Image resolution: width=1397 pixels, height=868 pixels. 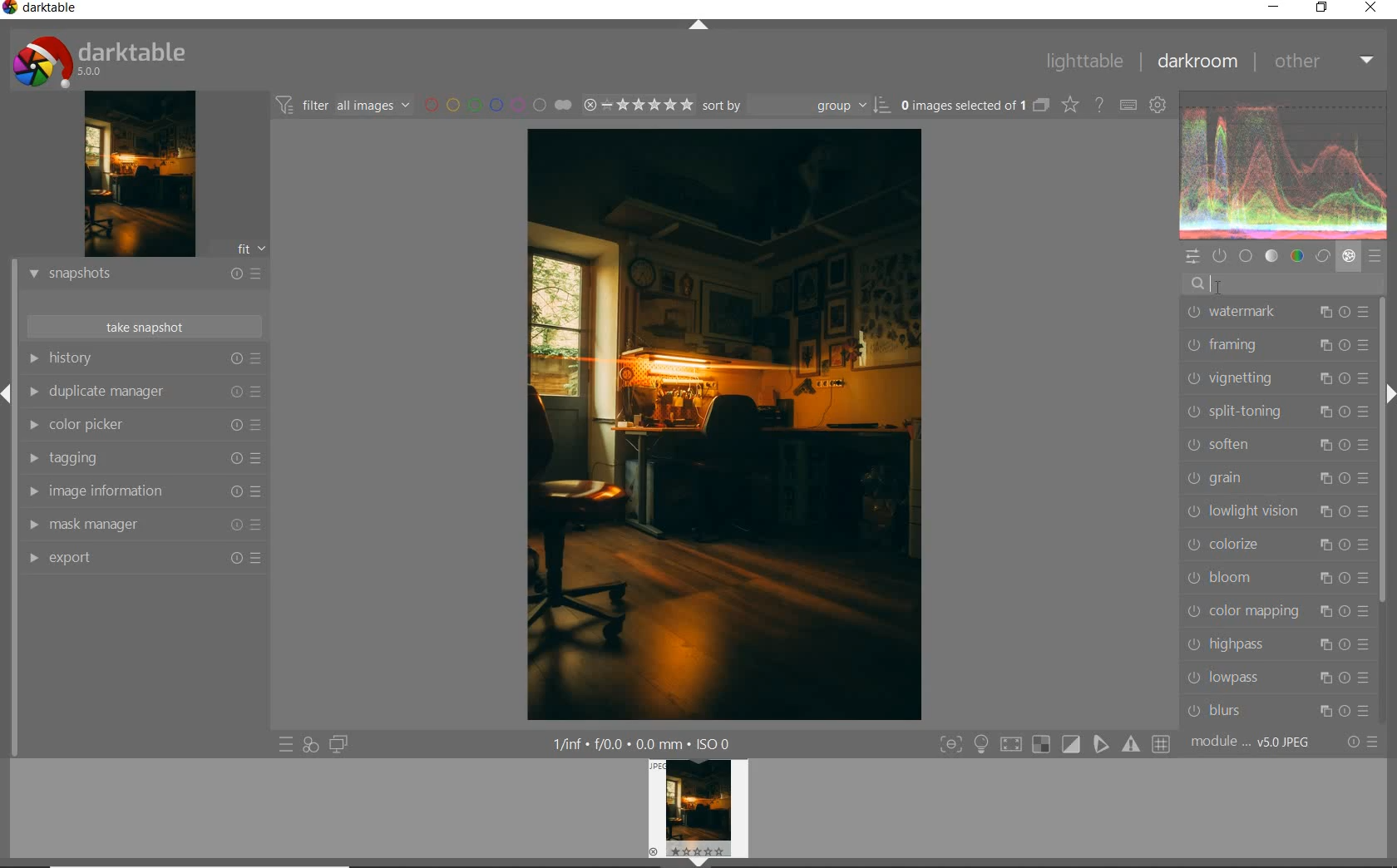 What do you see at coordinates (1281, 677) in the screenshot?
I see `lowpass` at bounding box center [1281, 677].